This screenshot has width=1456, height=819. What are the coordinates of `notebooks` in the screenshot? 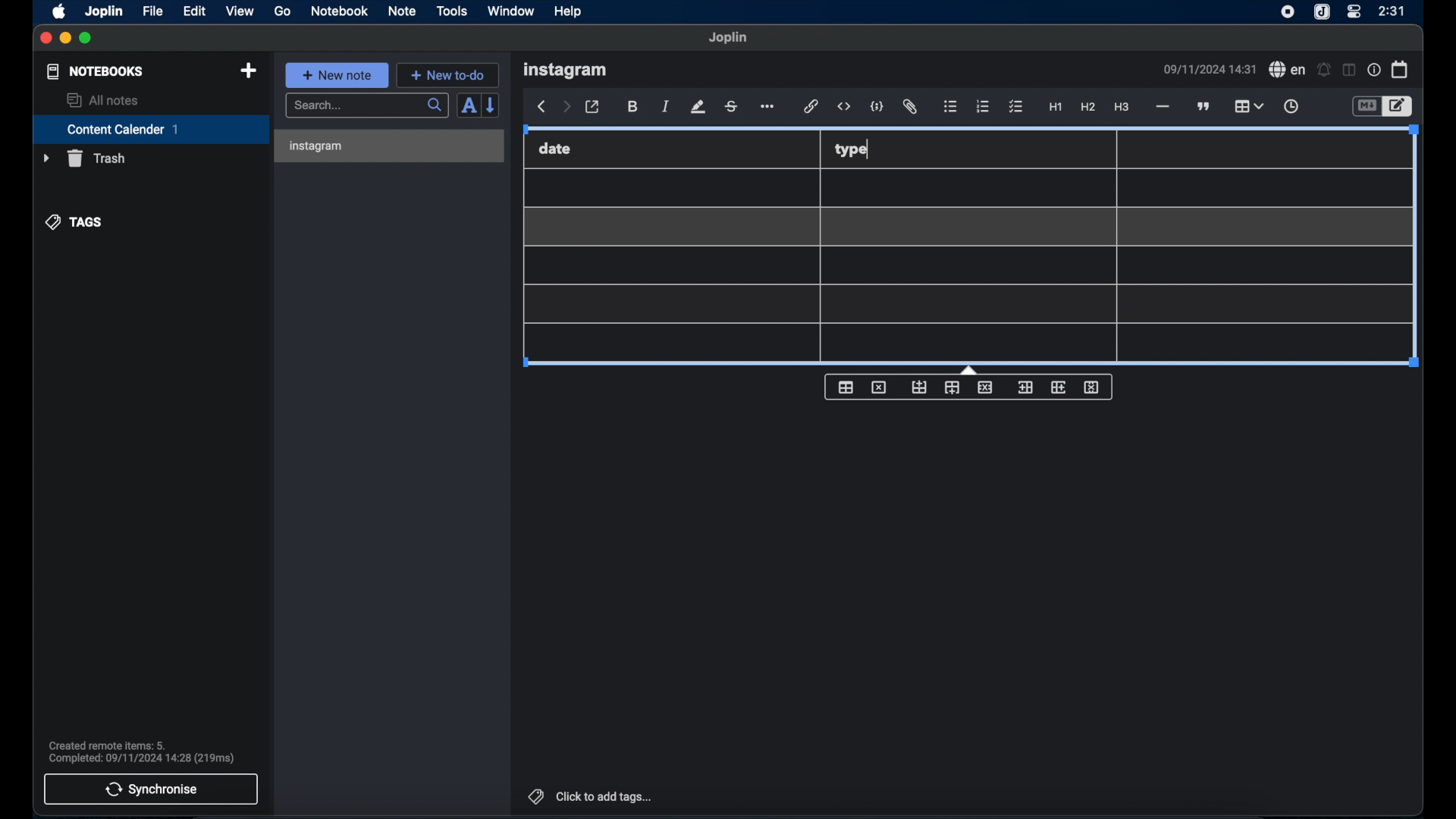 It's located at (96, 71).